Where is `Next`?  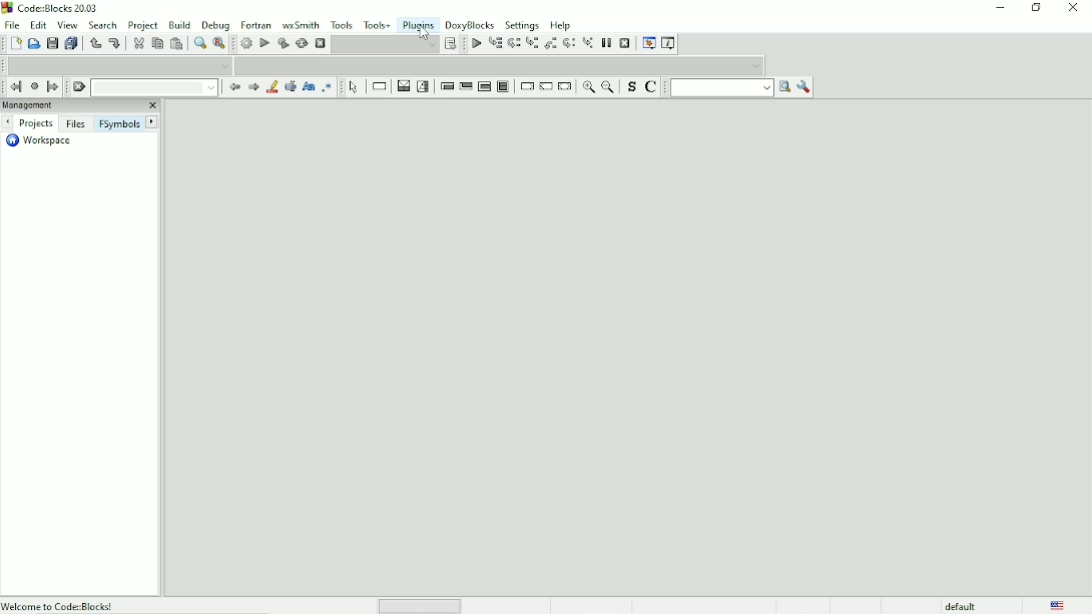
Next is located at coordinates (253, 87).